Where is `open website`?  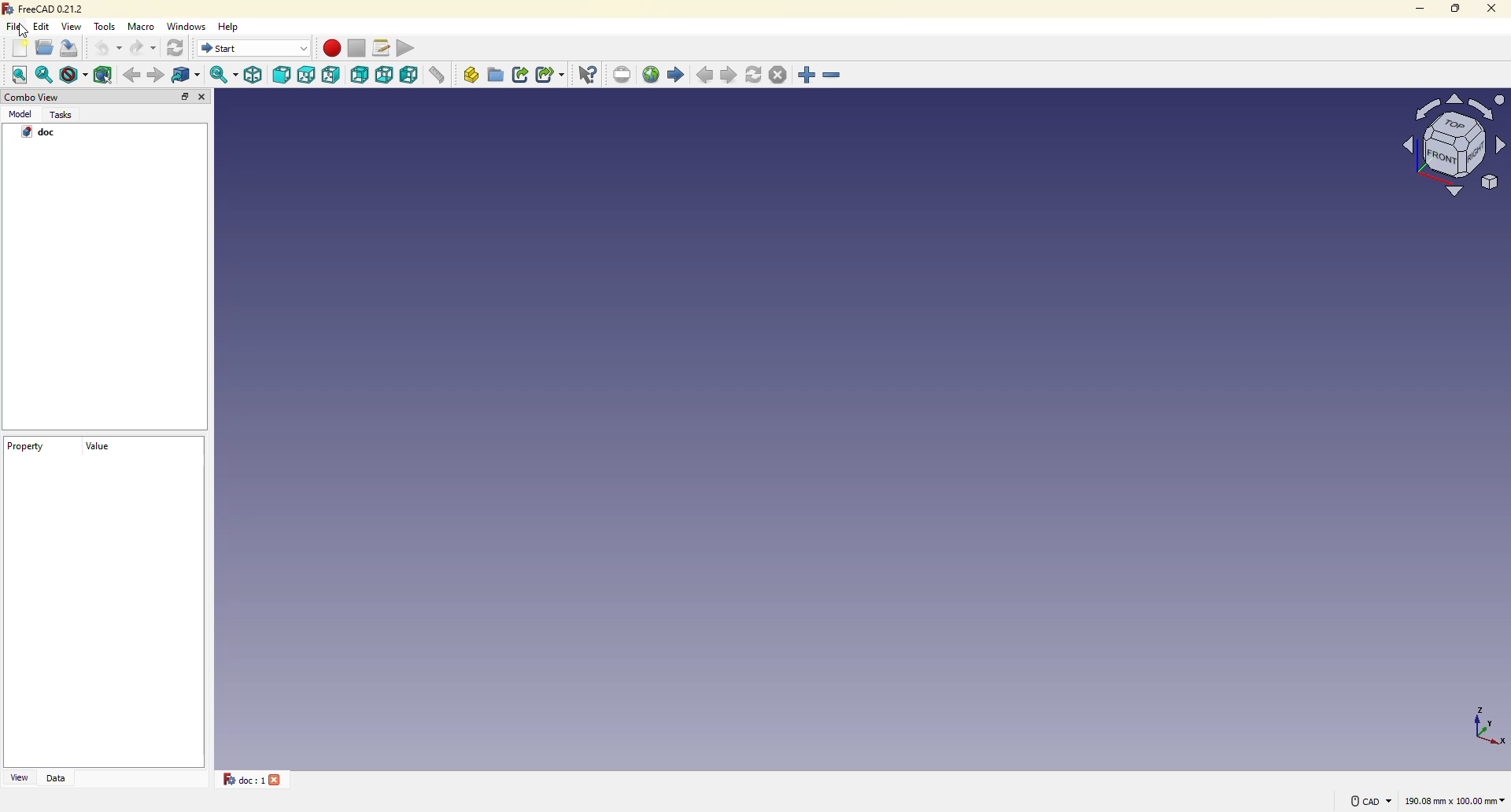
open website is located at coordinates (652, 73).